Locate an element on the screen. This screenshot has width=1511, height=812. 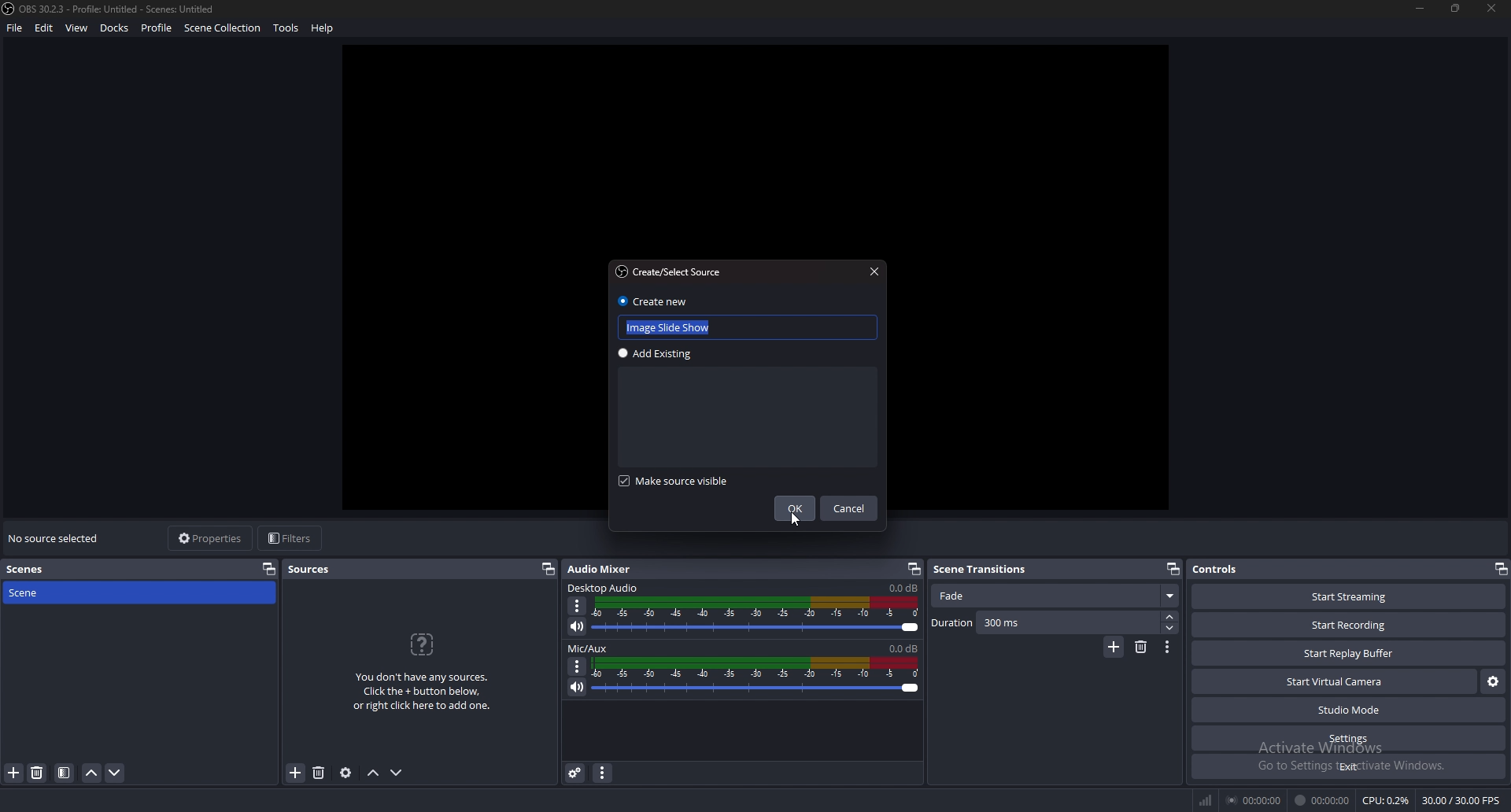
pop out is located at coordinates (1500, 569).